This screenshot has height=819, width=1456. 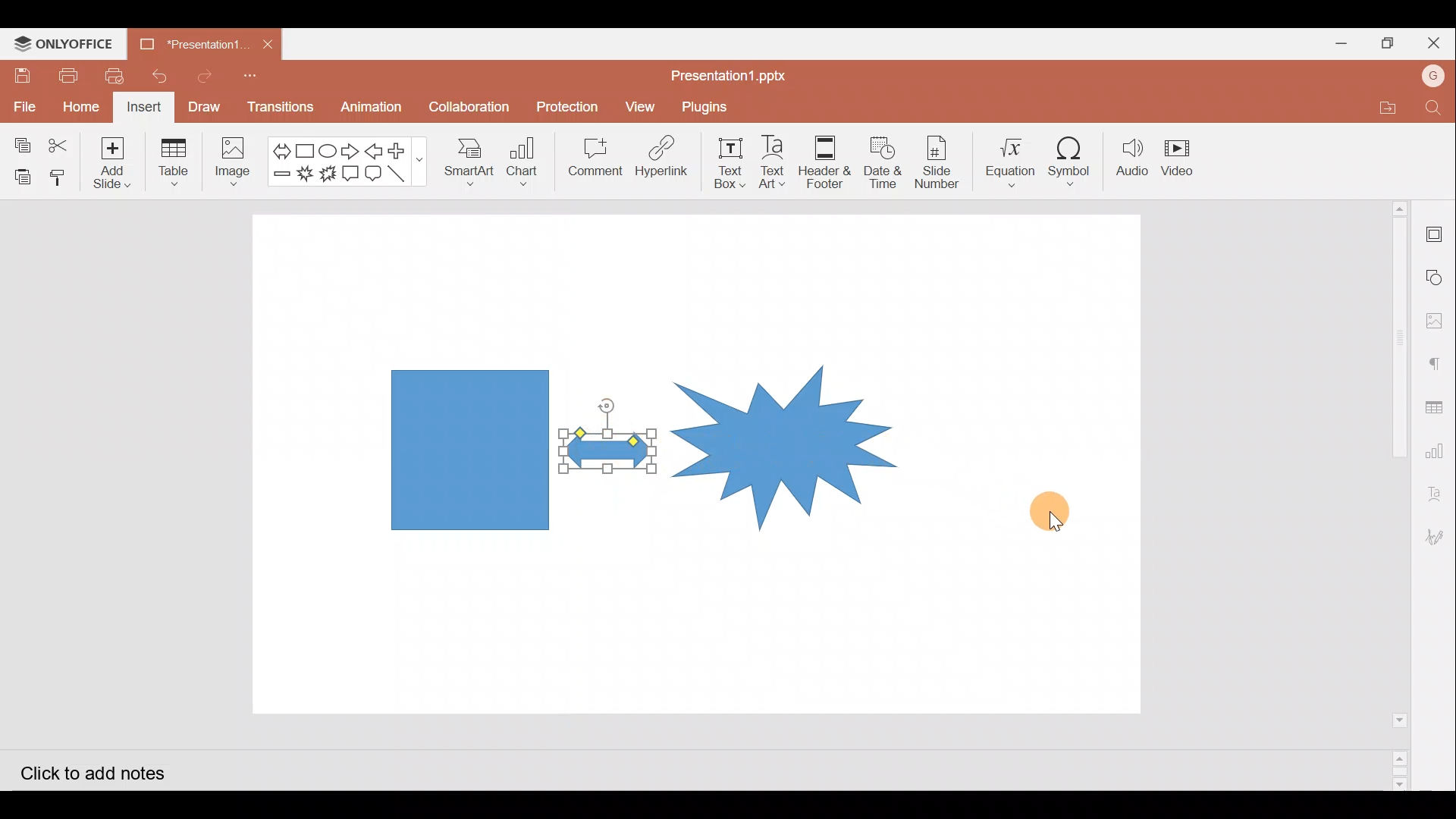 I want to click on Plugins, so click(x=705, y=108).